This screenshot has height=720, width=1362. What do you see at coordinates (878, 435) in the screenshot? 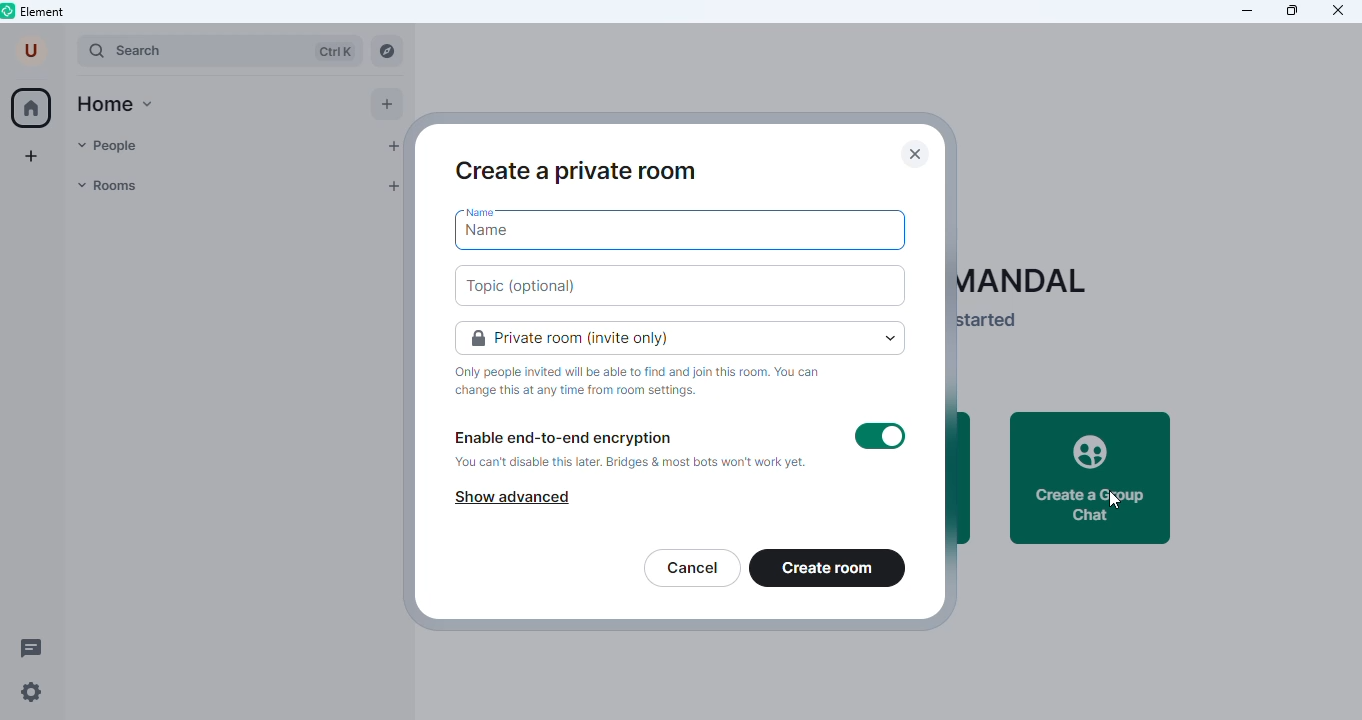
I see `encryption on/off` at bounding box center [878, 435].